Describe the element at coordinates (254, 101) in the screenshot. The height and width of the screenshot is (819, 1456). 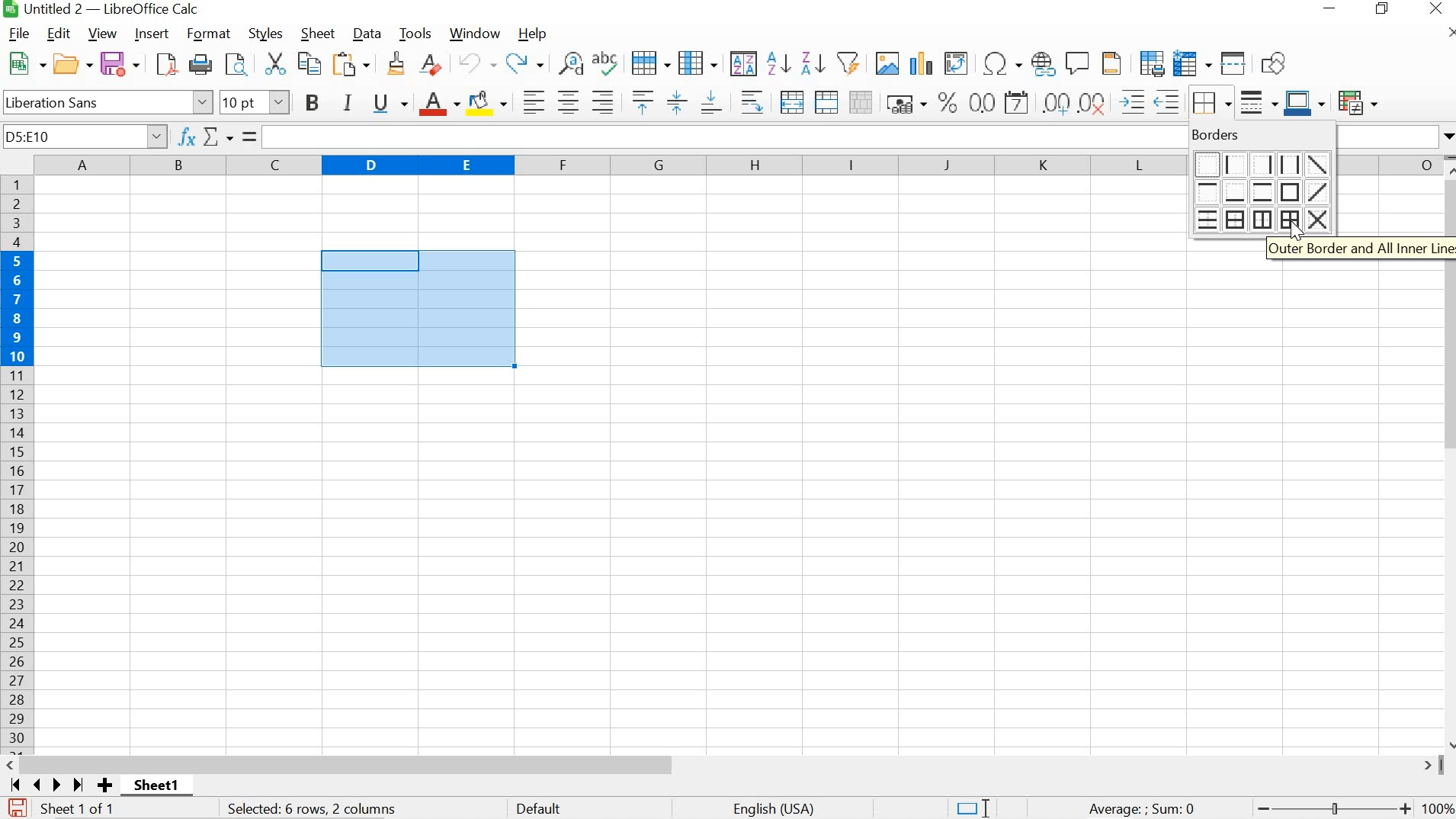
I see `FONT SIZE` at that location.